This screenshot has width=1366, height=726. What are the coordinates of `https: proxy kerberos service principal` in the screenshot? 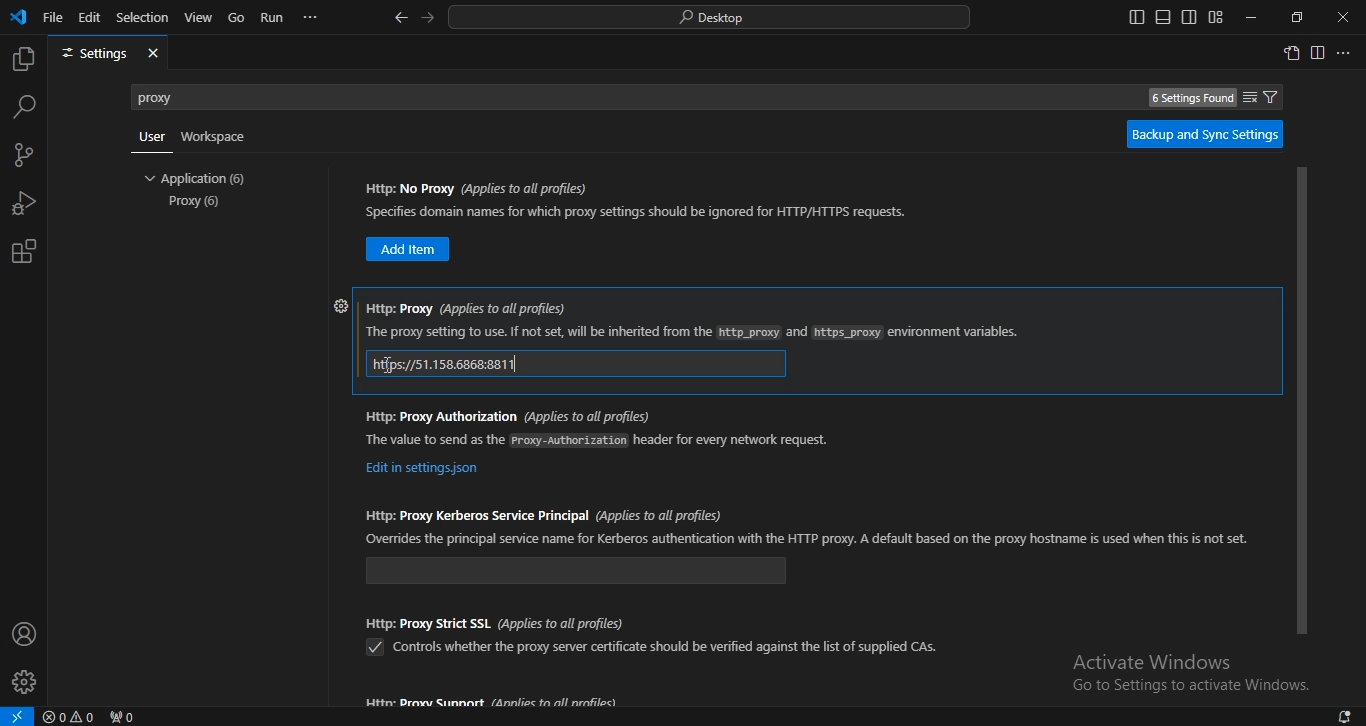 It's located at (543, 512).